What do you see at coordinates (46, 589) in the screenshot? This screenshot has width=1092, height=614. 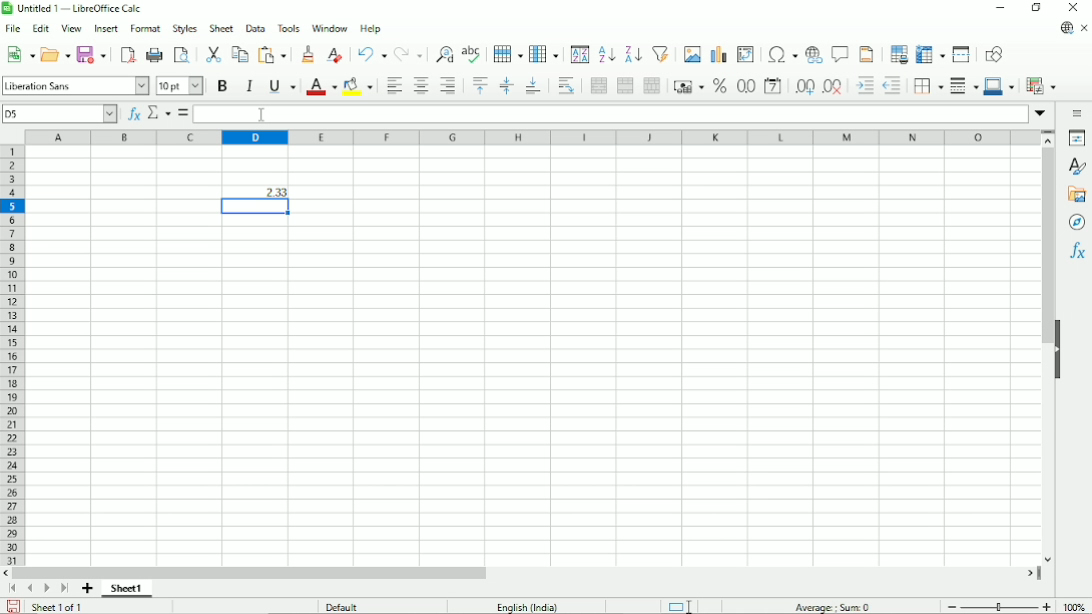 I see `Scroll to next sheet` at bounding box center [46, 589].